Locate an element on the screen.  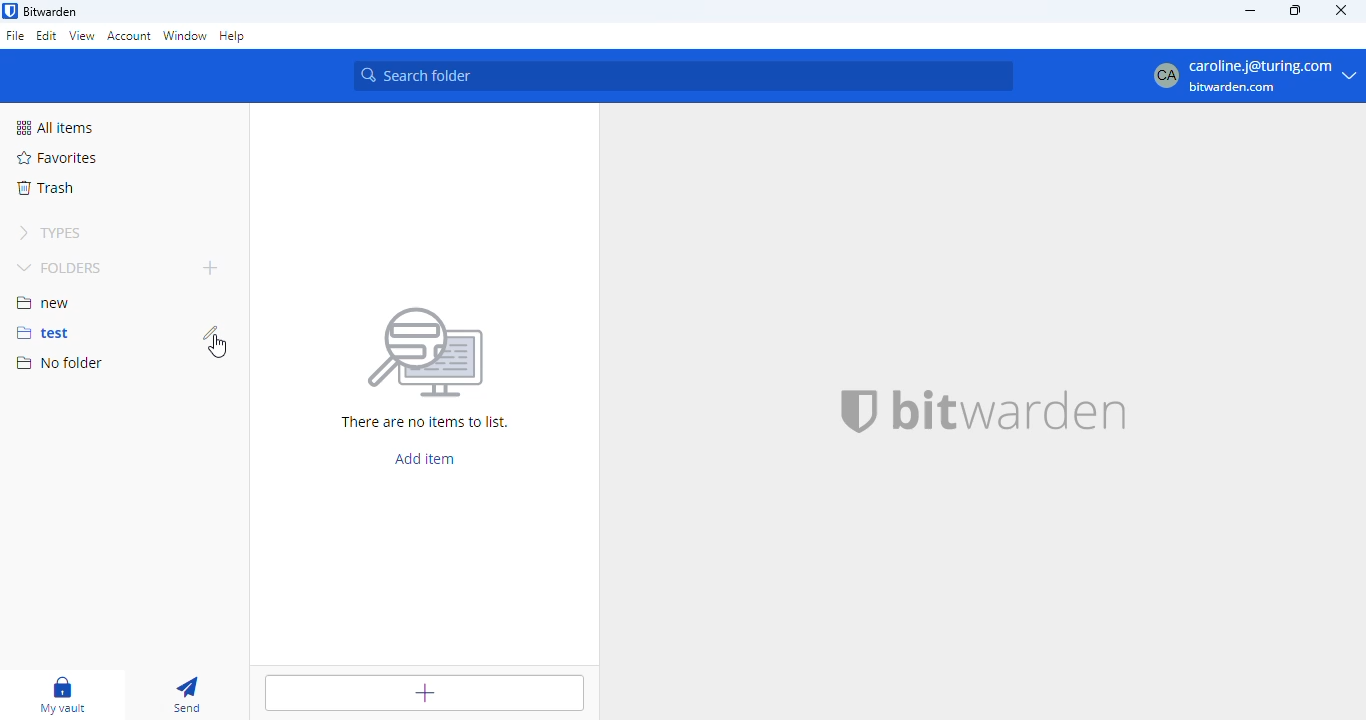
view is located at coordinates (82, 36).